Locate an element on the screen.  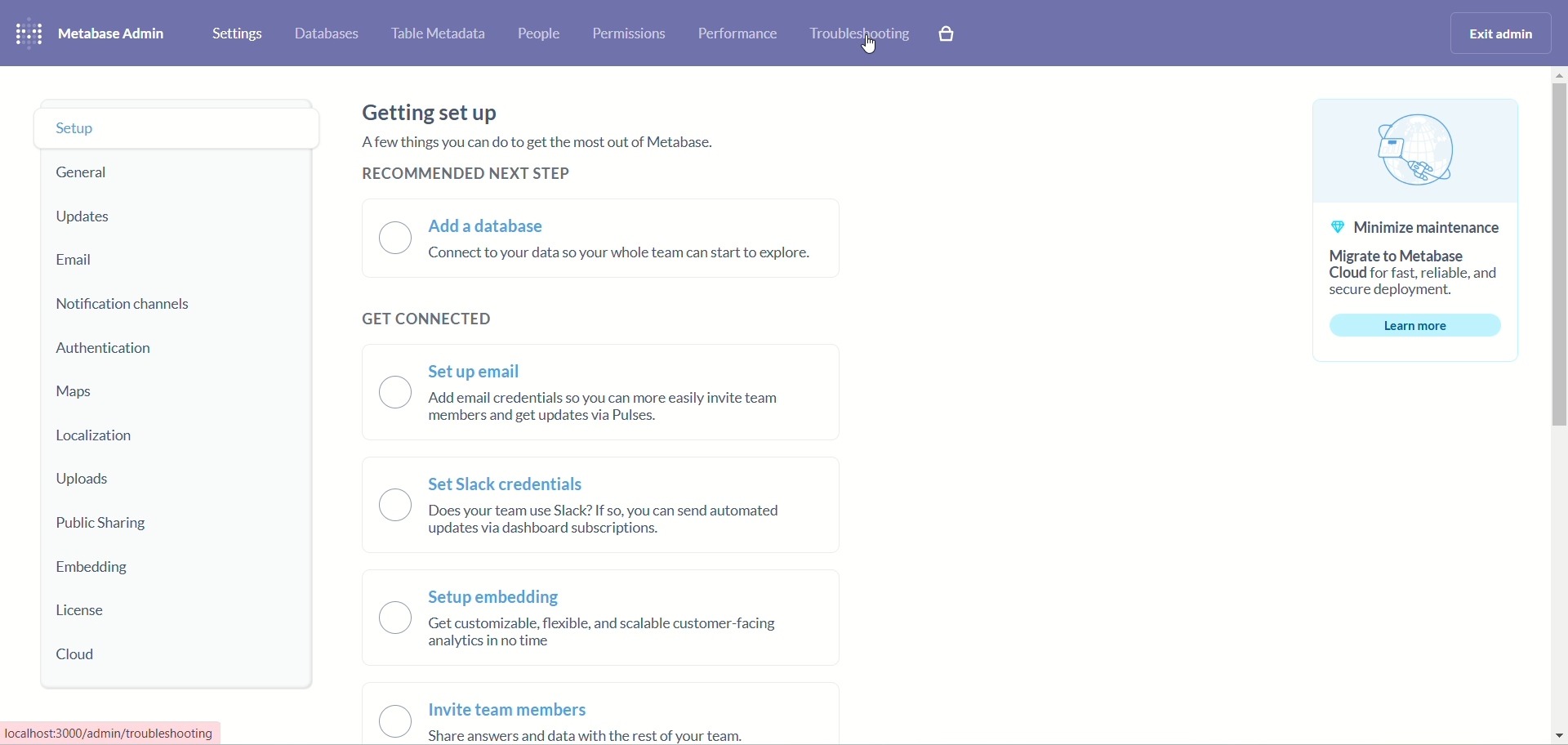
toggle button is located at coordinates (381, 547).